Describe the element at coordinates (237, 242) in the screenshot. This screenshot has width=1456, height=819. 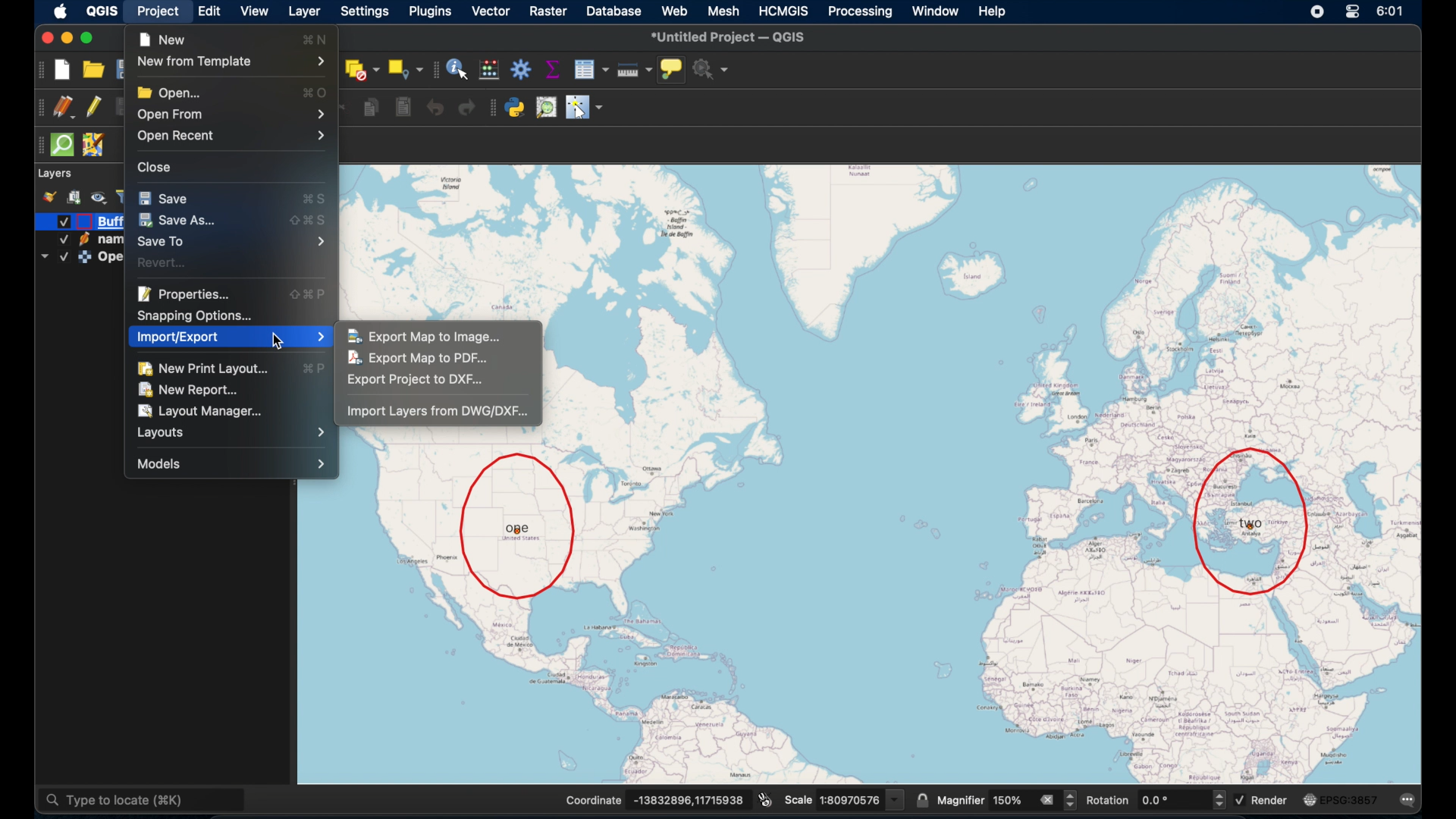
I see `save to menu` at that location.